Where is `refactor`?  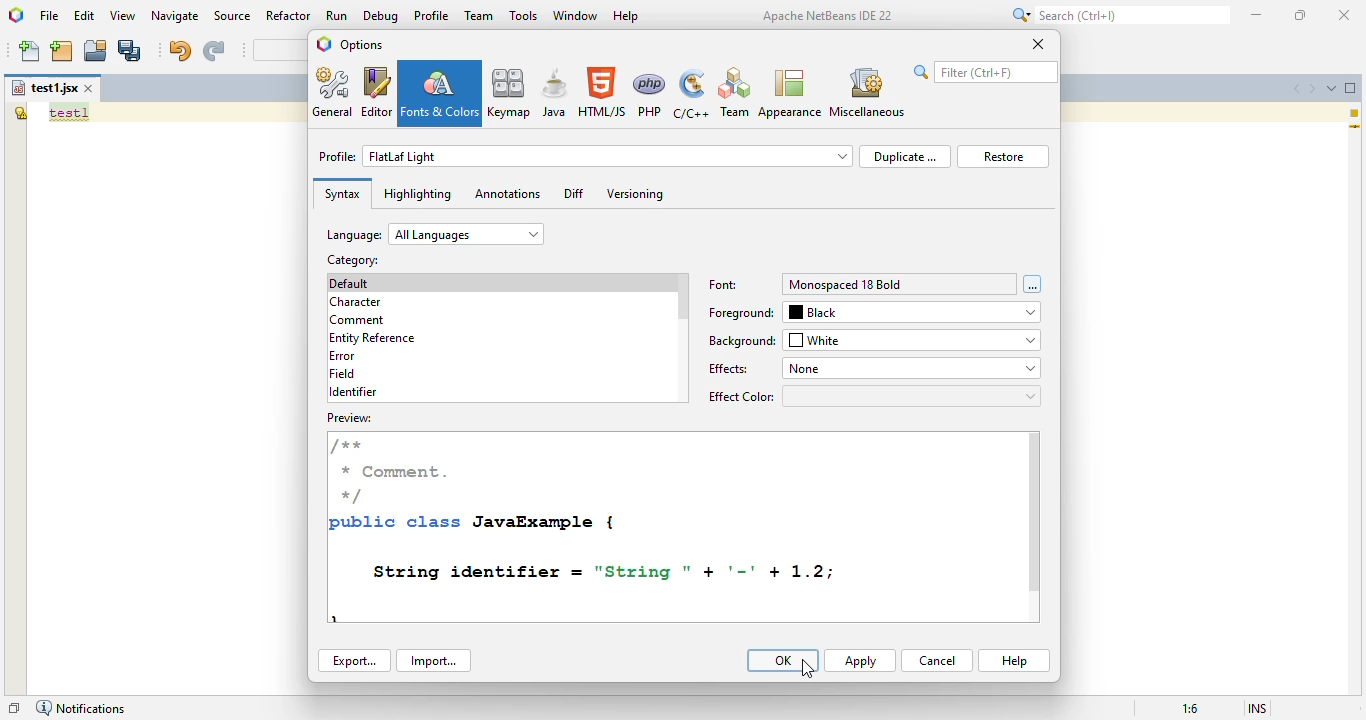
refactor is located at coordinates (289, 16).